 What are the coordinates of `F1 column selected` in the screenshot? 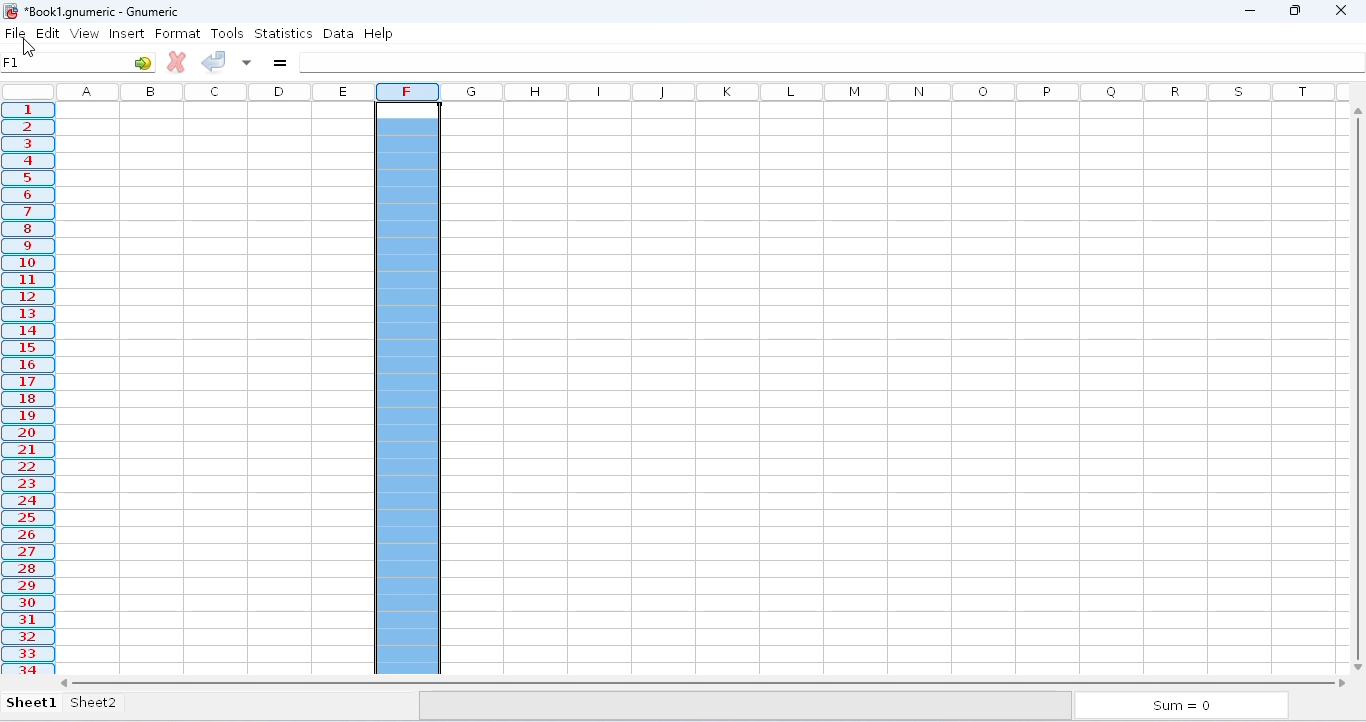 It's located at (408, 379).